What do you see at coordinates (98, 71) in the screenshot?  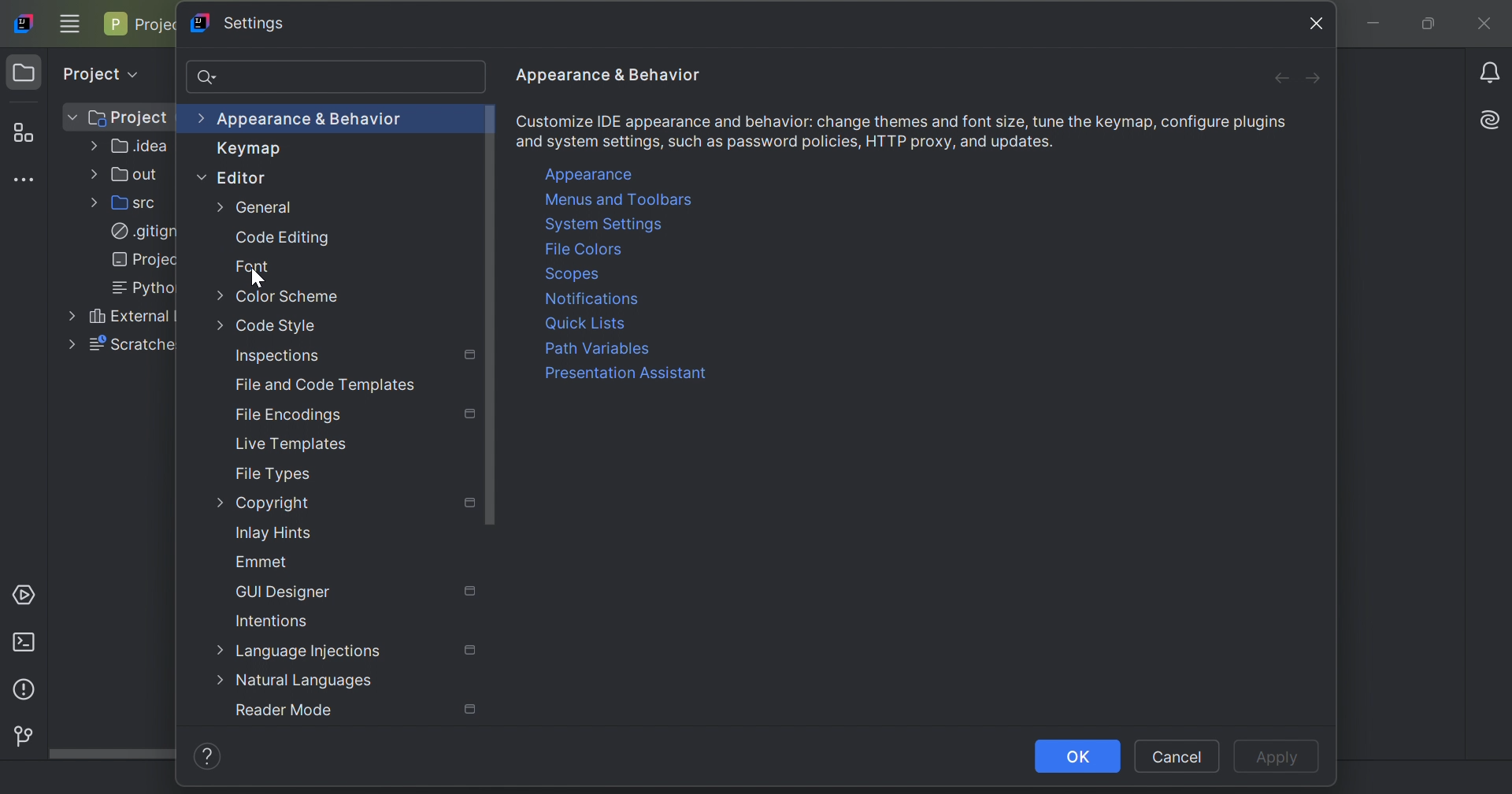 I see `Project` at bounding box center [98, 71].